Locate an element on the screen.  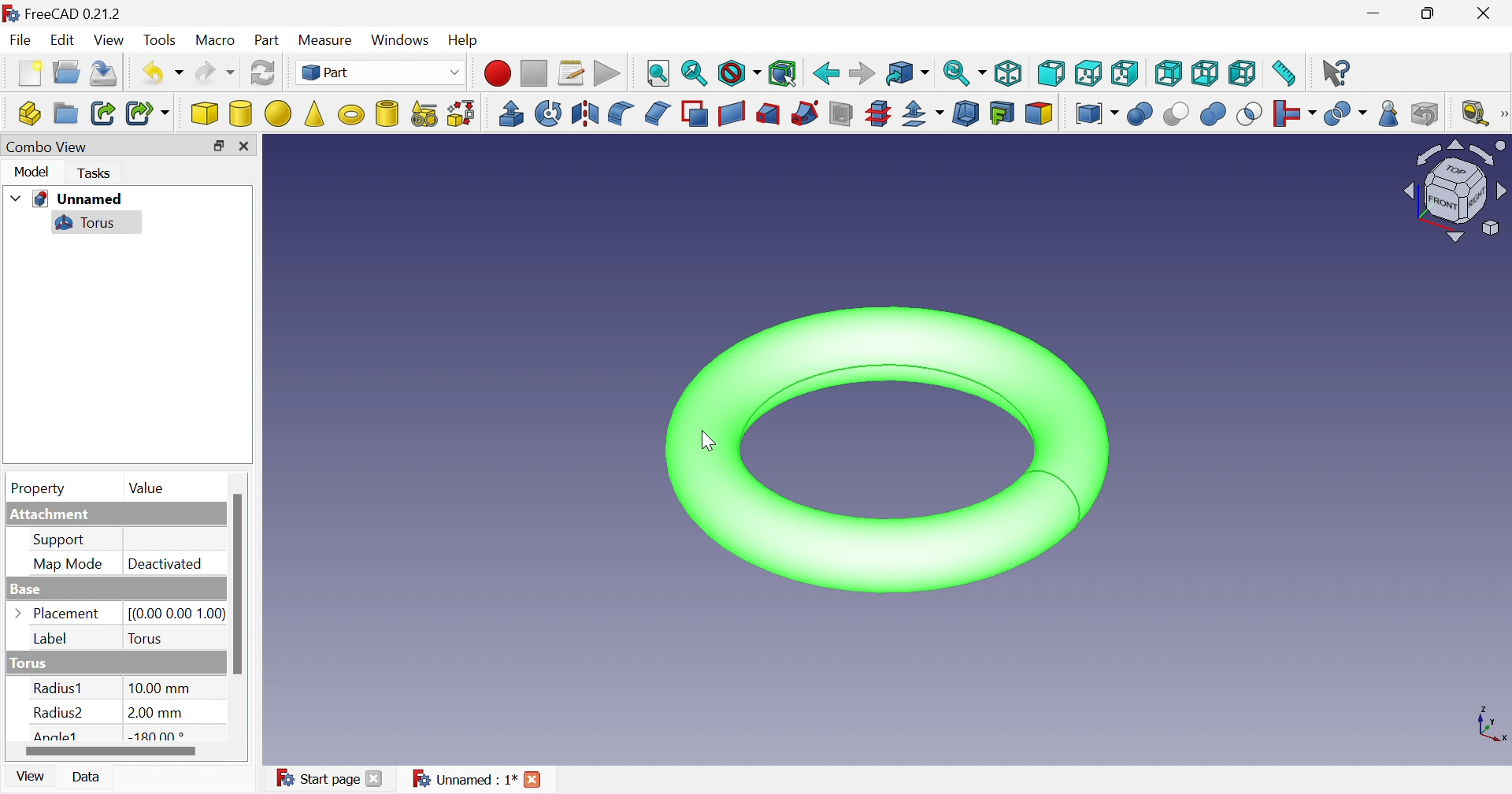
Map Mode is located at coordinates (65, 566).